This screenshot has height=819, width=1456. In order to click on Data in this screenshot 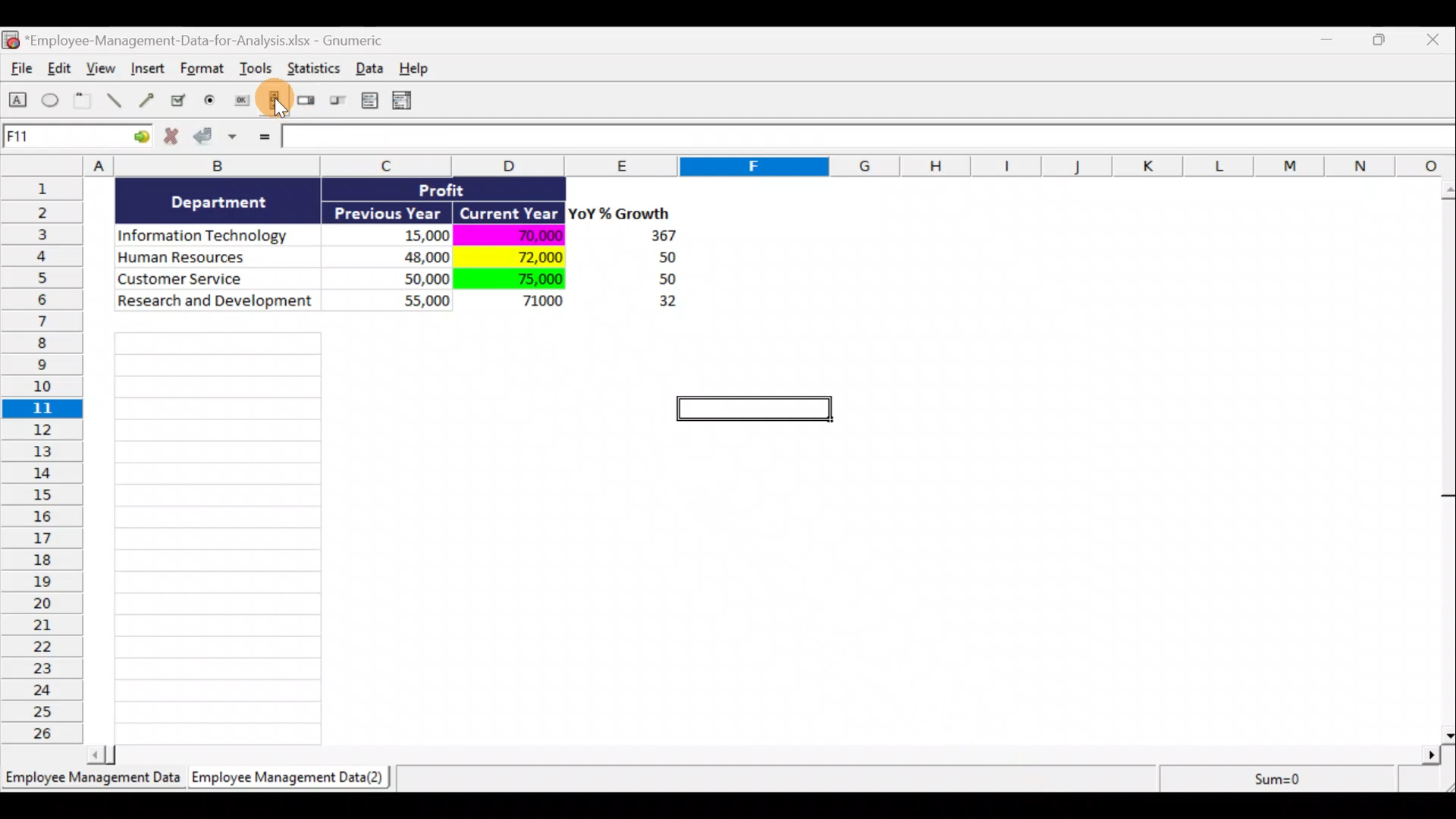, I will do `click(374, 67)`.